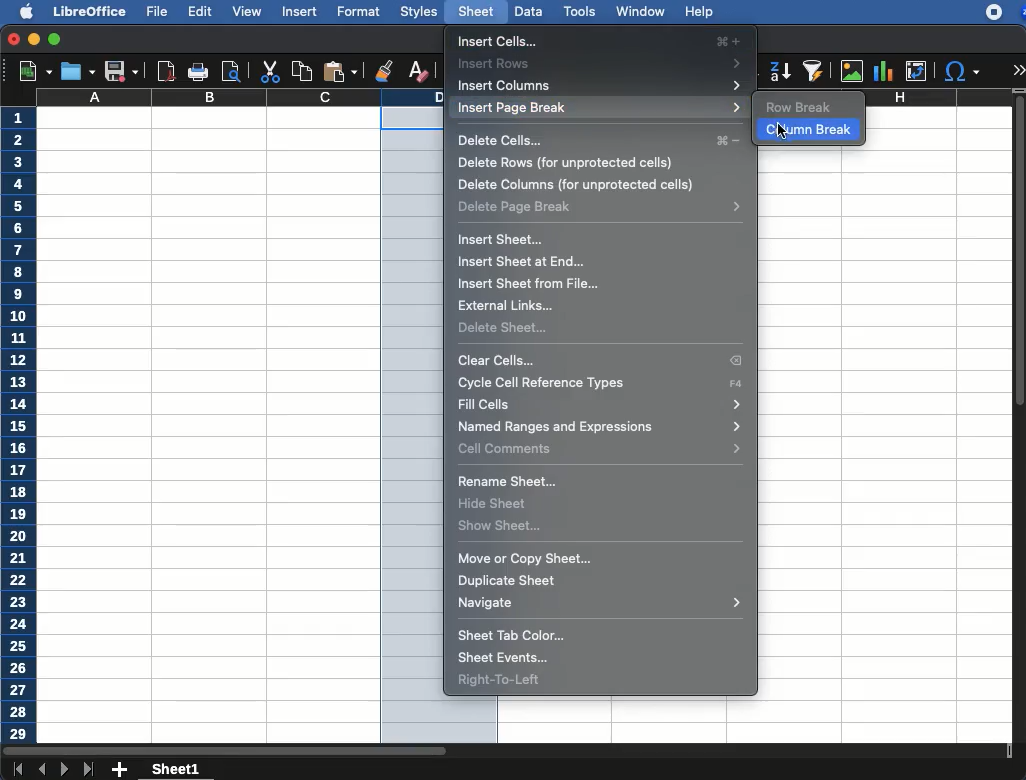 This screenshot has height=780, width=1026. Describe the element at coordinates (30, 72) in the screenshot. I see `new` at that location.